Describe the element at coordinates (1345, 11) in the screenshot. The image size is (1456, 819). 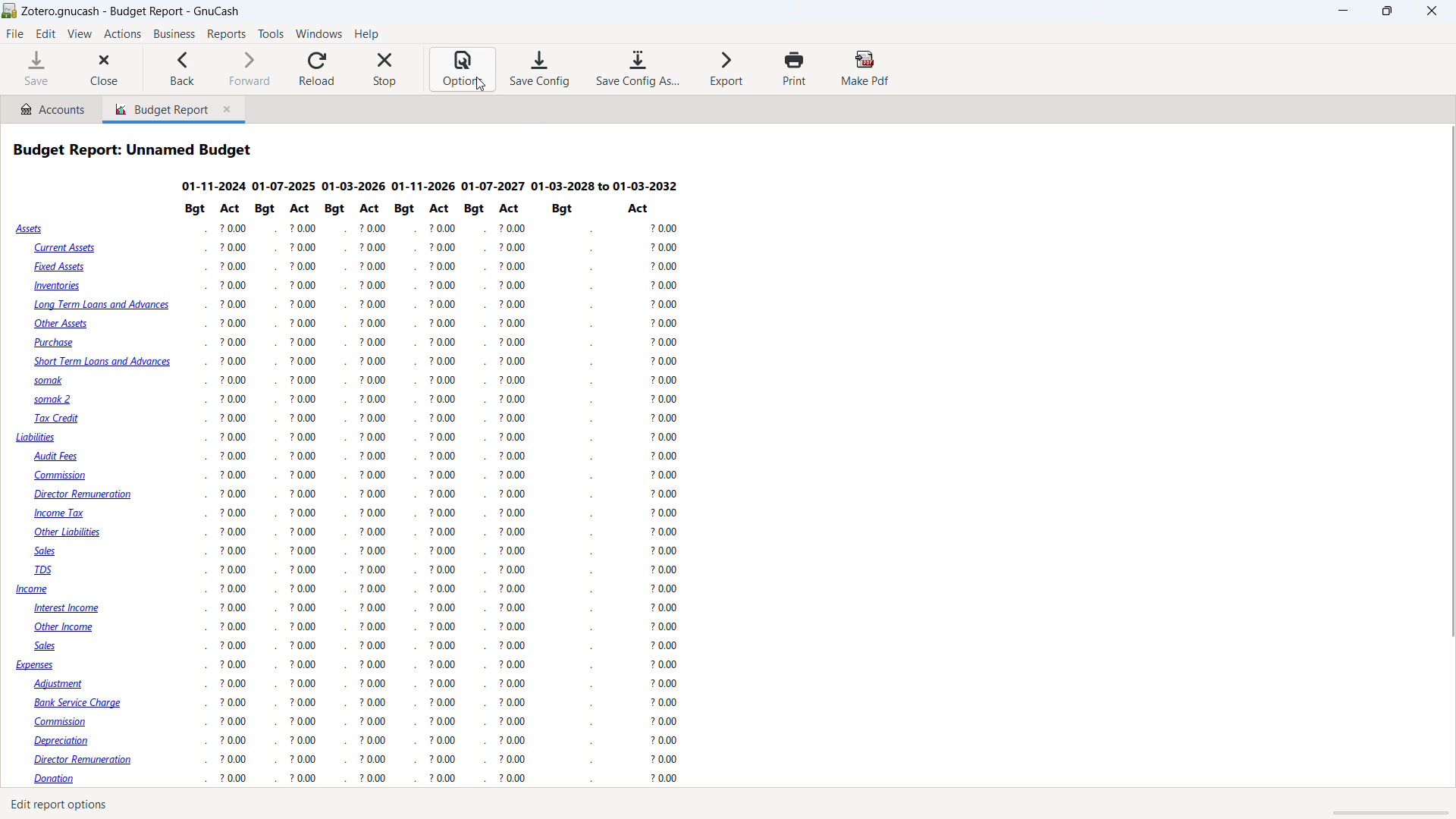
I see `minimize` at that location.